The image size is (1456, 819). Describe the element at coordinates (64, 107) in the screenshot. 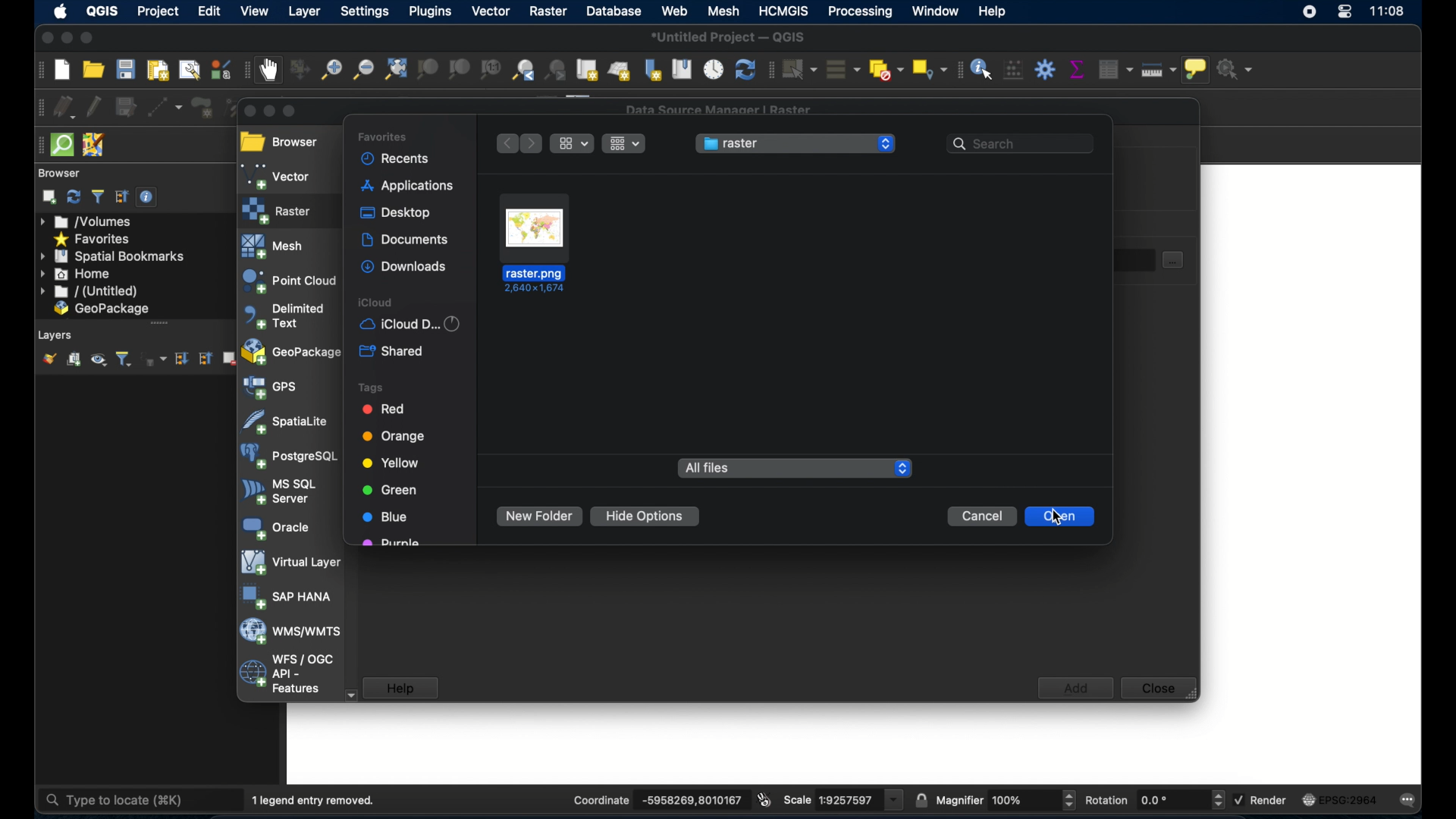

I see `current edits` at that location.